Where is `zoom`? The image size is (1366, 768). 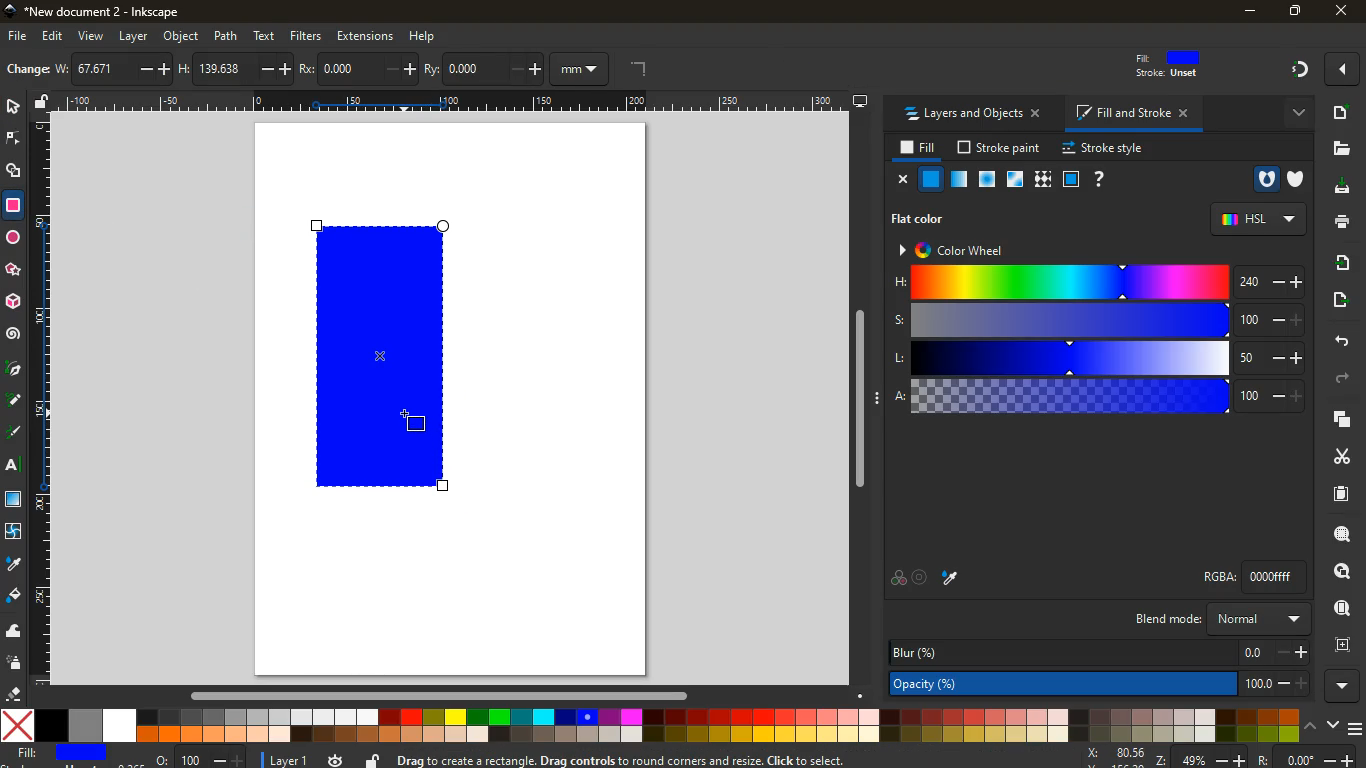 zoom is located at coordinates (1220, 756).